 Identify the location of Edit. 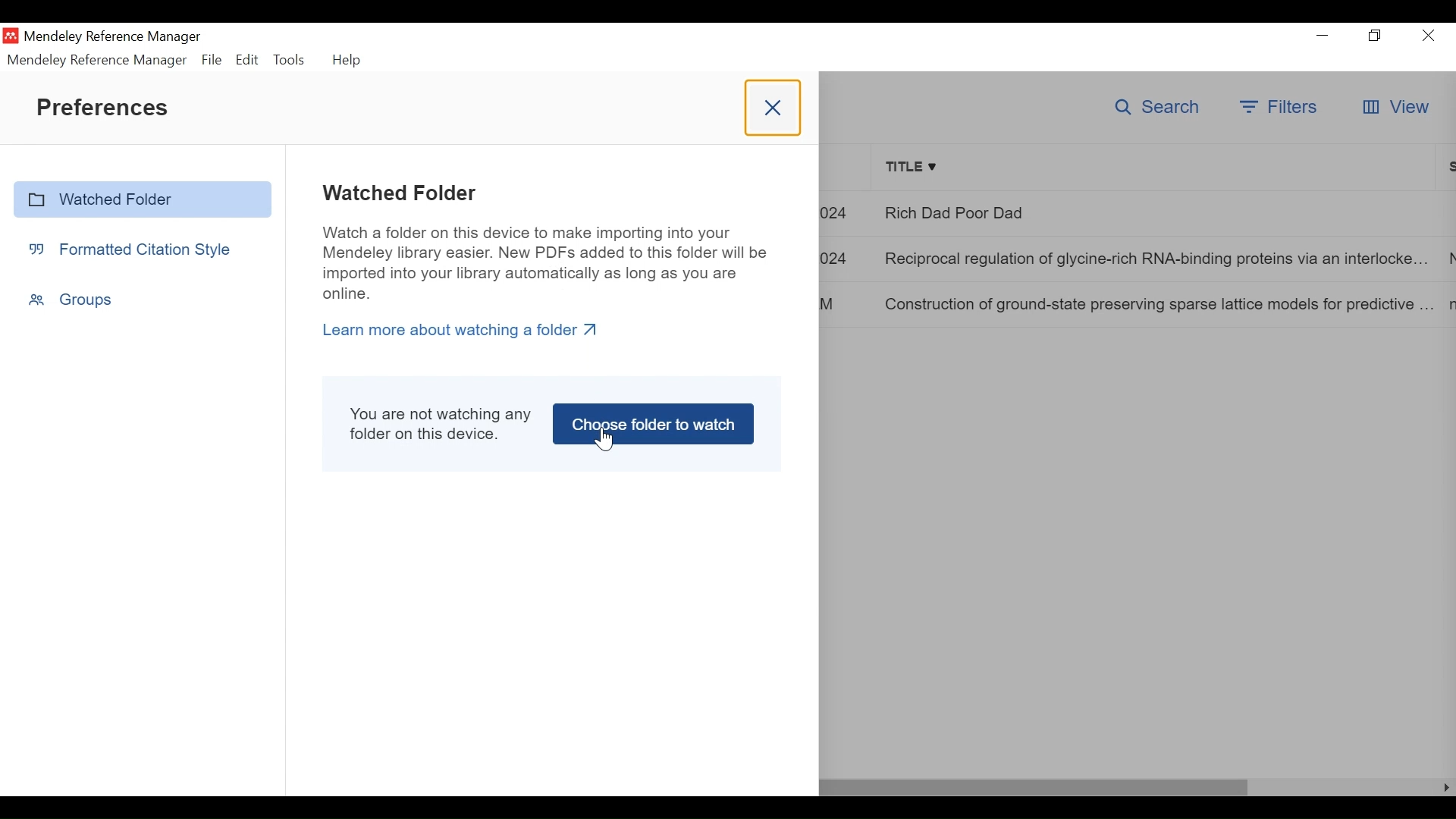
(247, 61).